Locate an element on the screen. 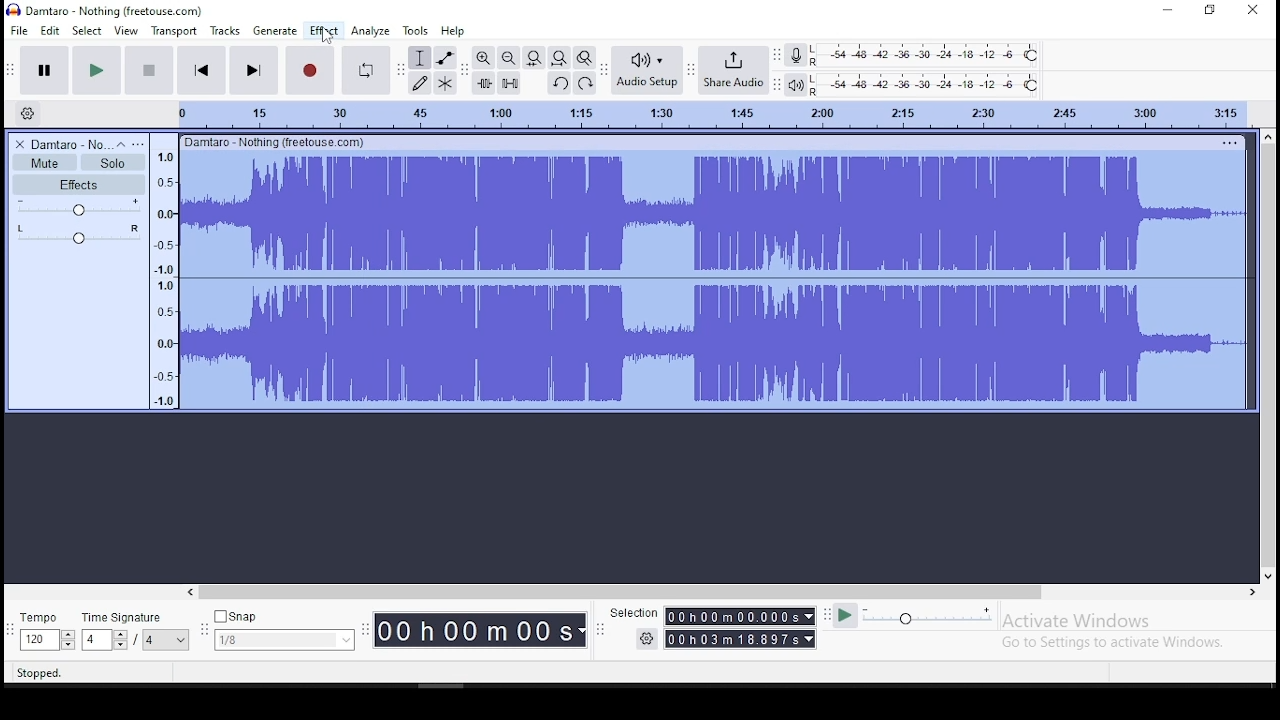 This screenshot has height=720, width=1280. skip to end is located at coordinates (252, 70).